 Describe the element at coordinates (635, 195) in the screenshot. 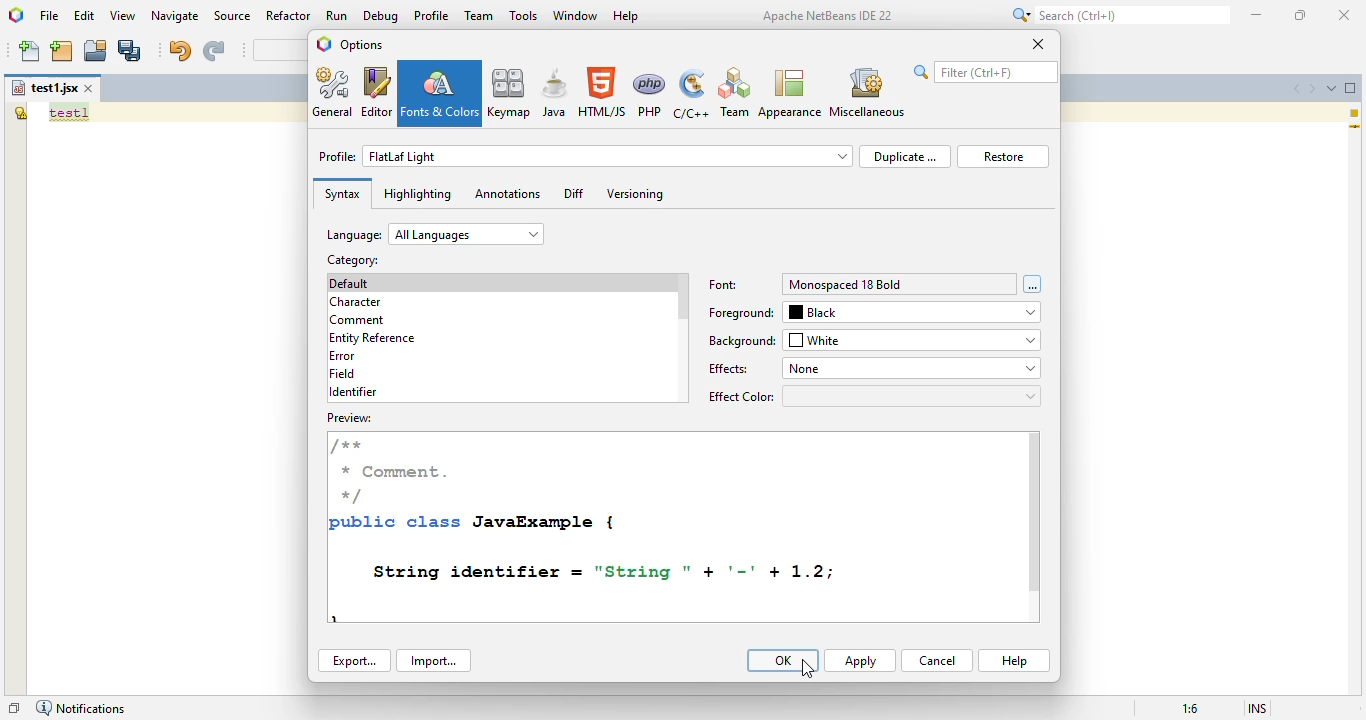

I see `versioning` at that location.